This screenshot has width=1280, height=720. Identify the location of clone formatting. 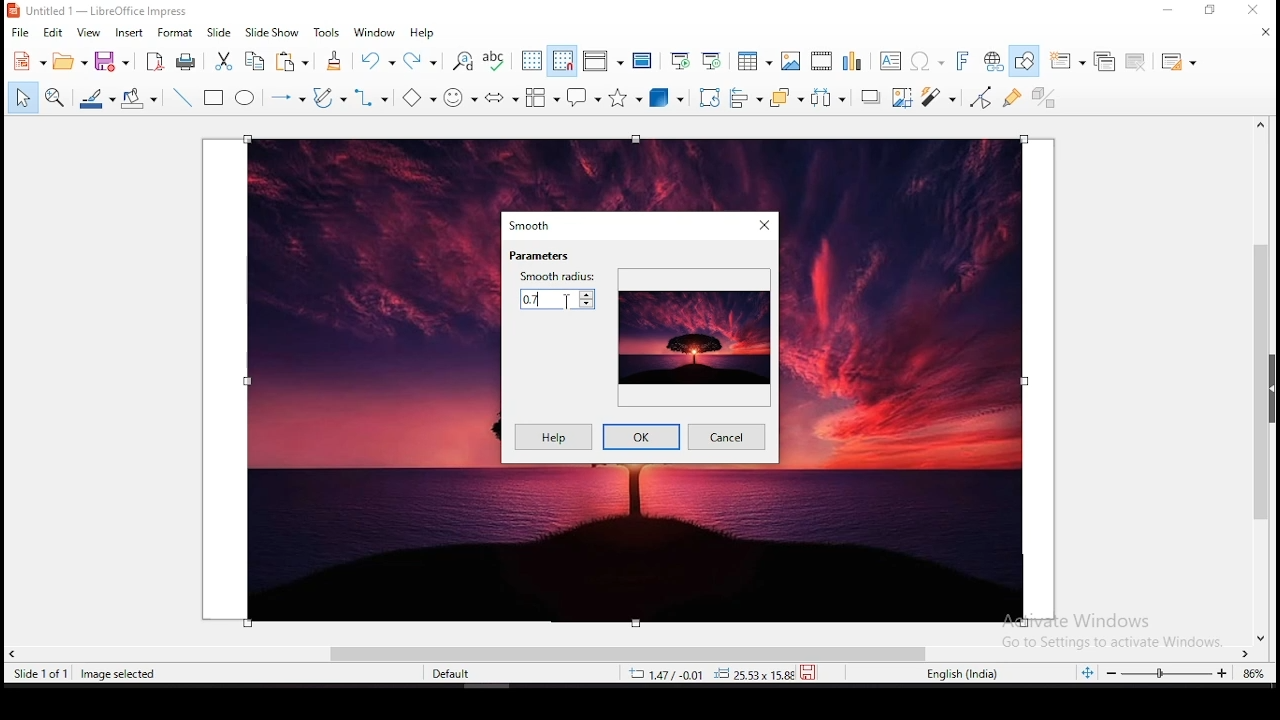
(334, 60).